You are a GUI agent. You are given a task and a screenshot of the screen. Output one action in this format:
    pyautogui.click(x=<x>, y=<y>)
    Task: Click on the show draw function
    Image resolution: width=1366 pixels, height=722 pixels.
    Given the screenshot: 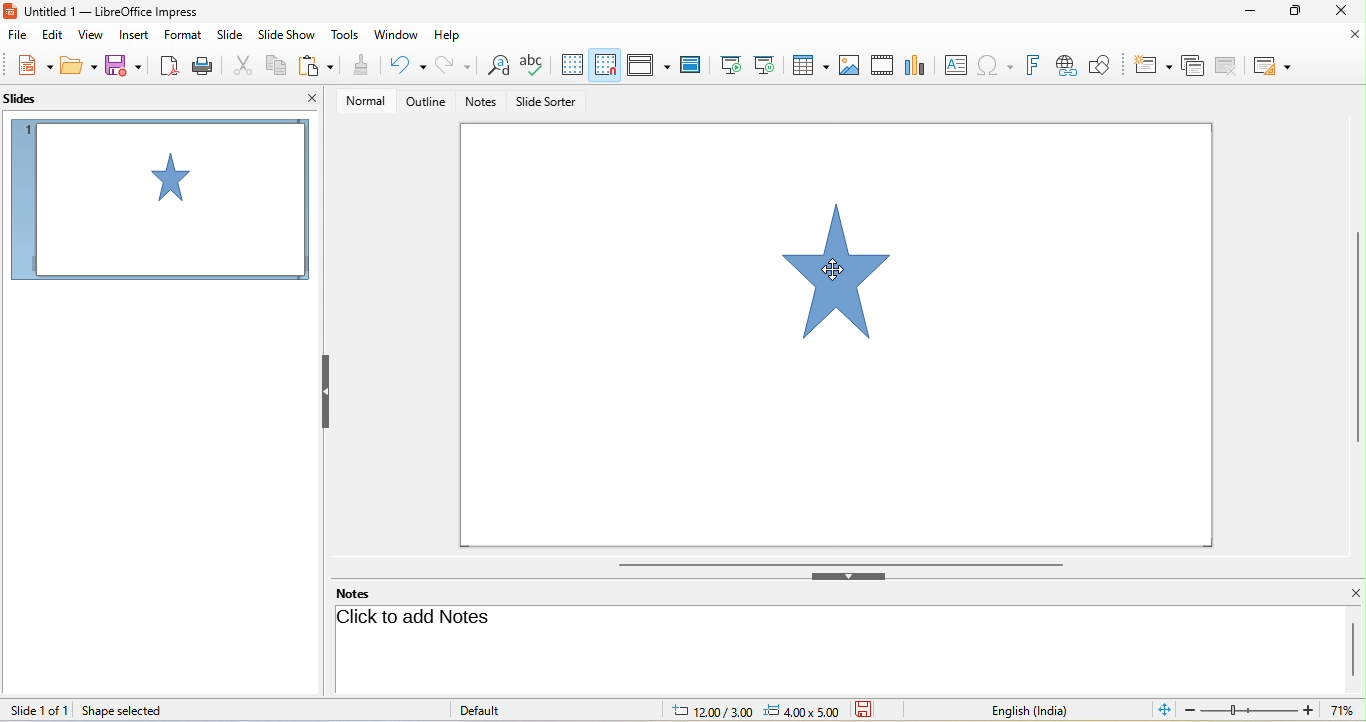 What is the action you would take?
    pyautogui.click(x=1100, y=64)
    